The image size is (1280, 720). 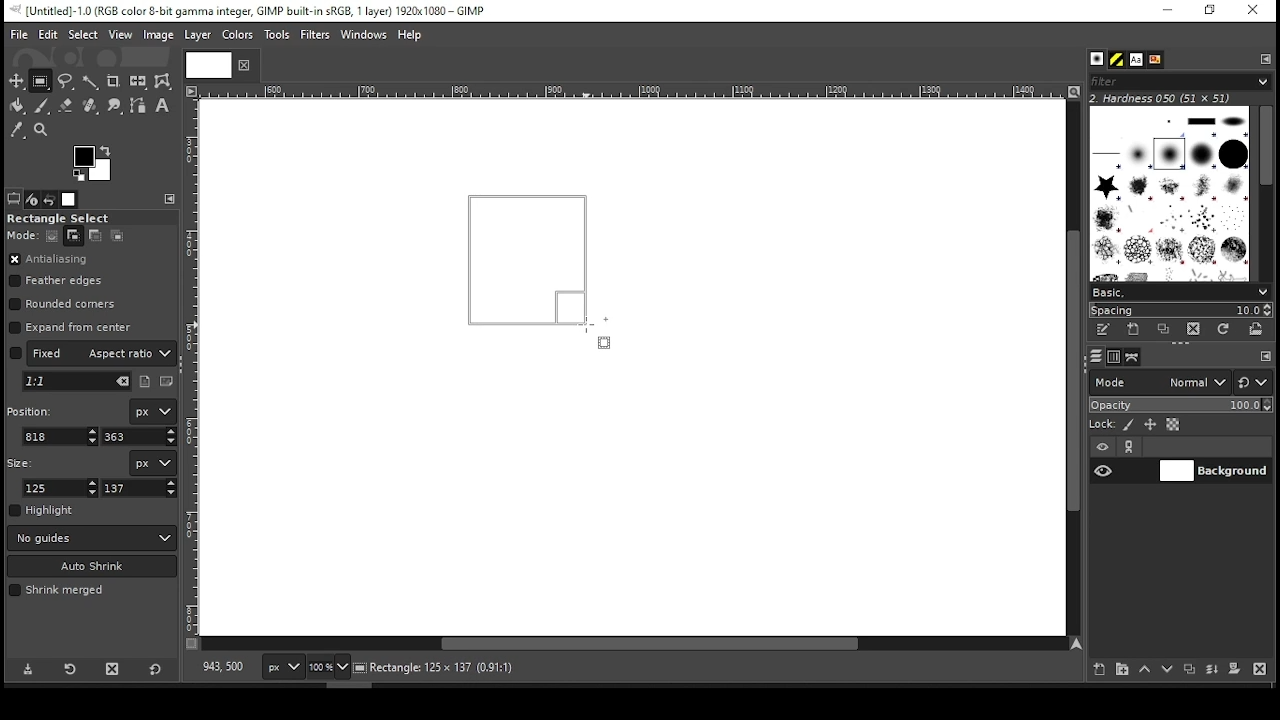 What do you see at coordinates (1117, 60) in the screenshot?
I see `pattern` at bounding box center [1117, 60].